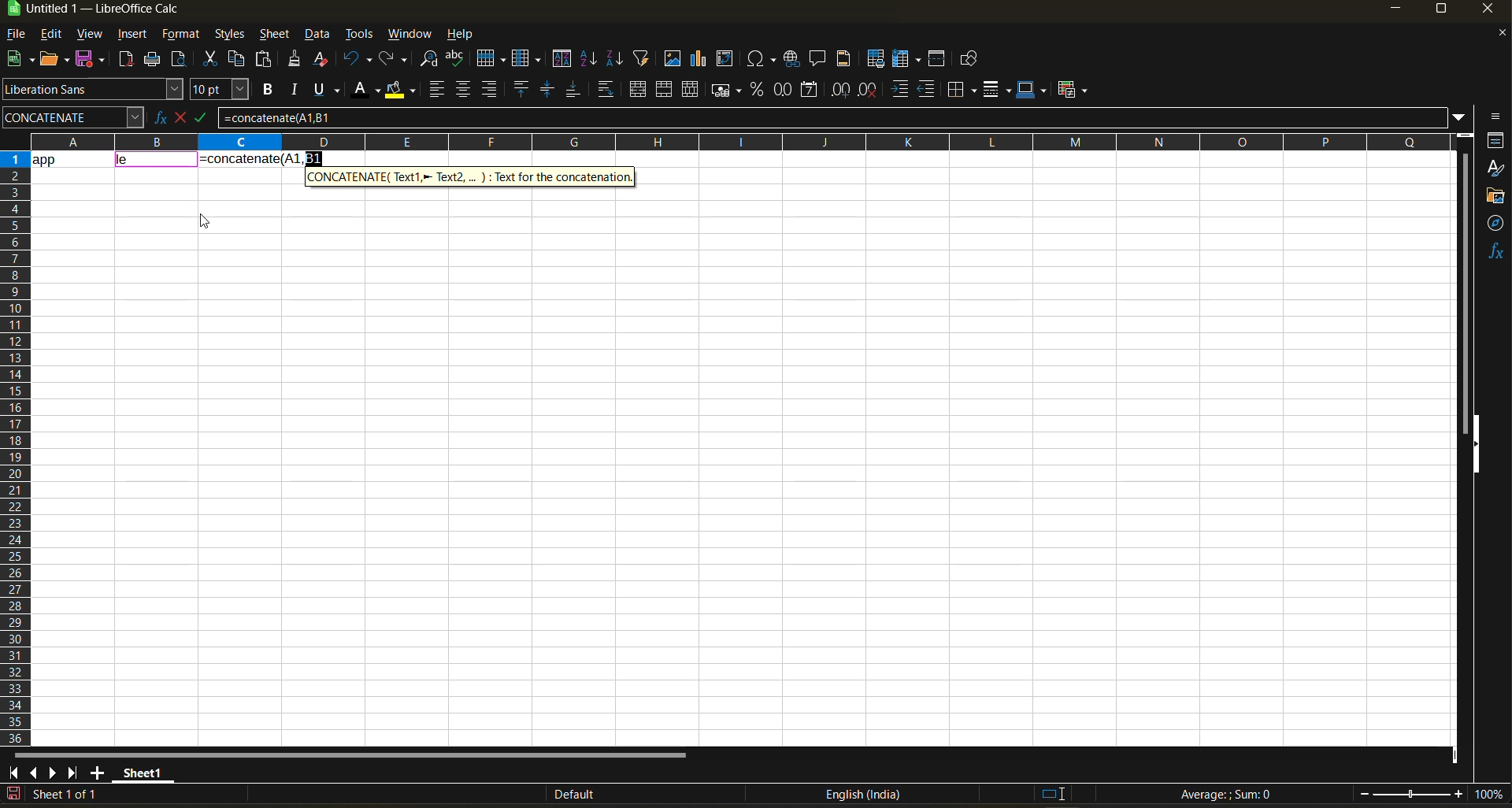  Describe the element at coordinates (213, 60) in the screenshot. I see `cut` at that location.